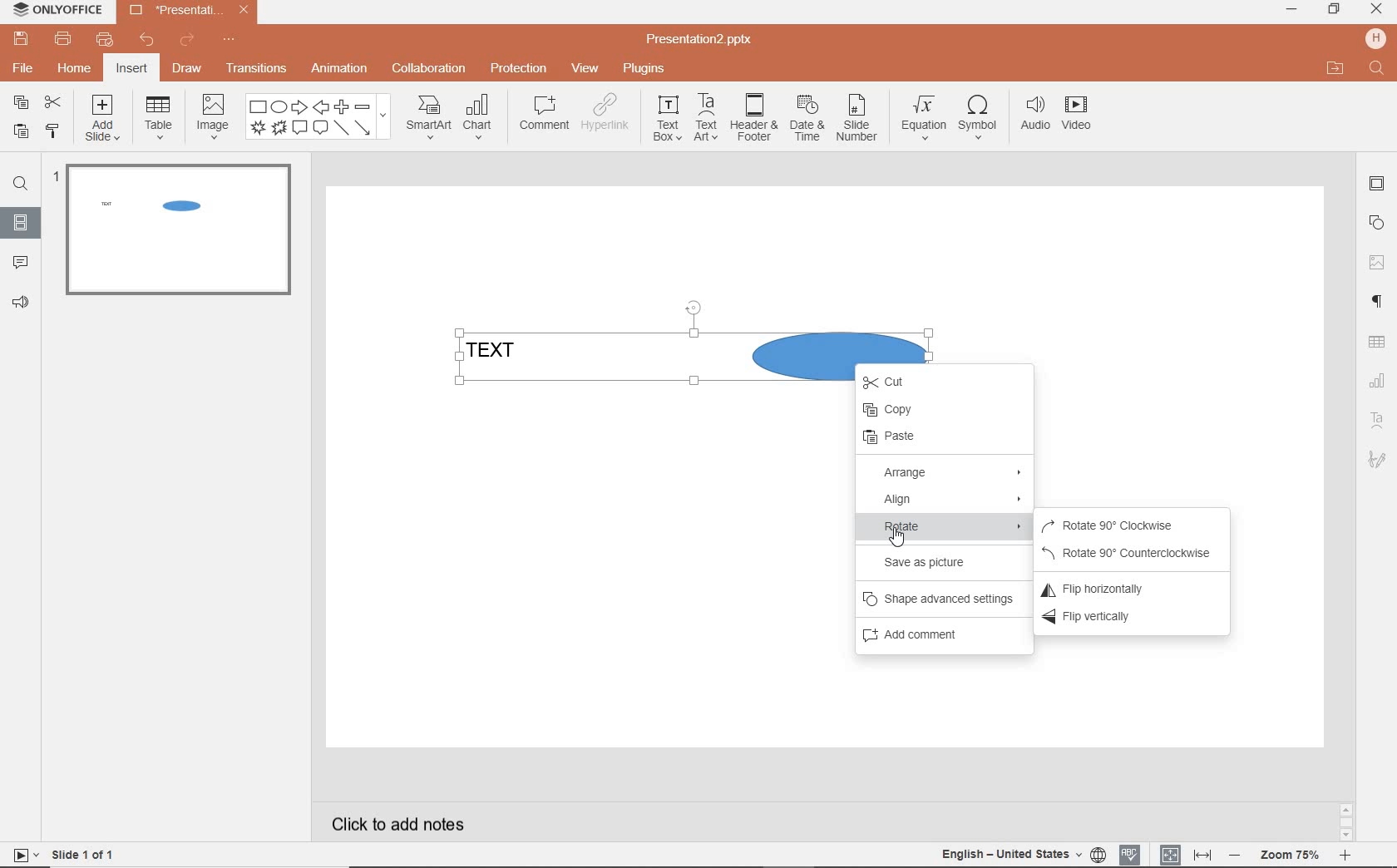 The width and height of the screenshot is (1397, 868). Describe the element at coordinates (1078, 116) in the screenshot. I see `video` at that location.